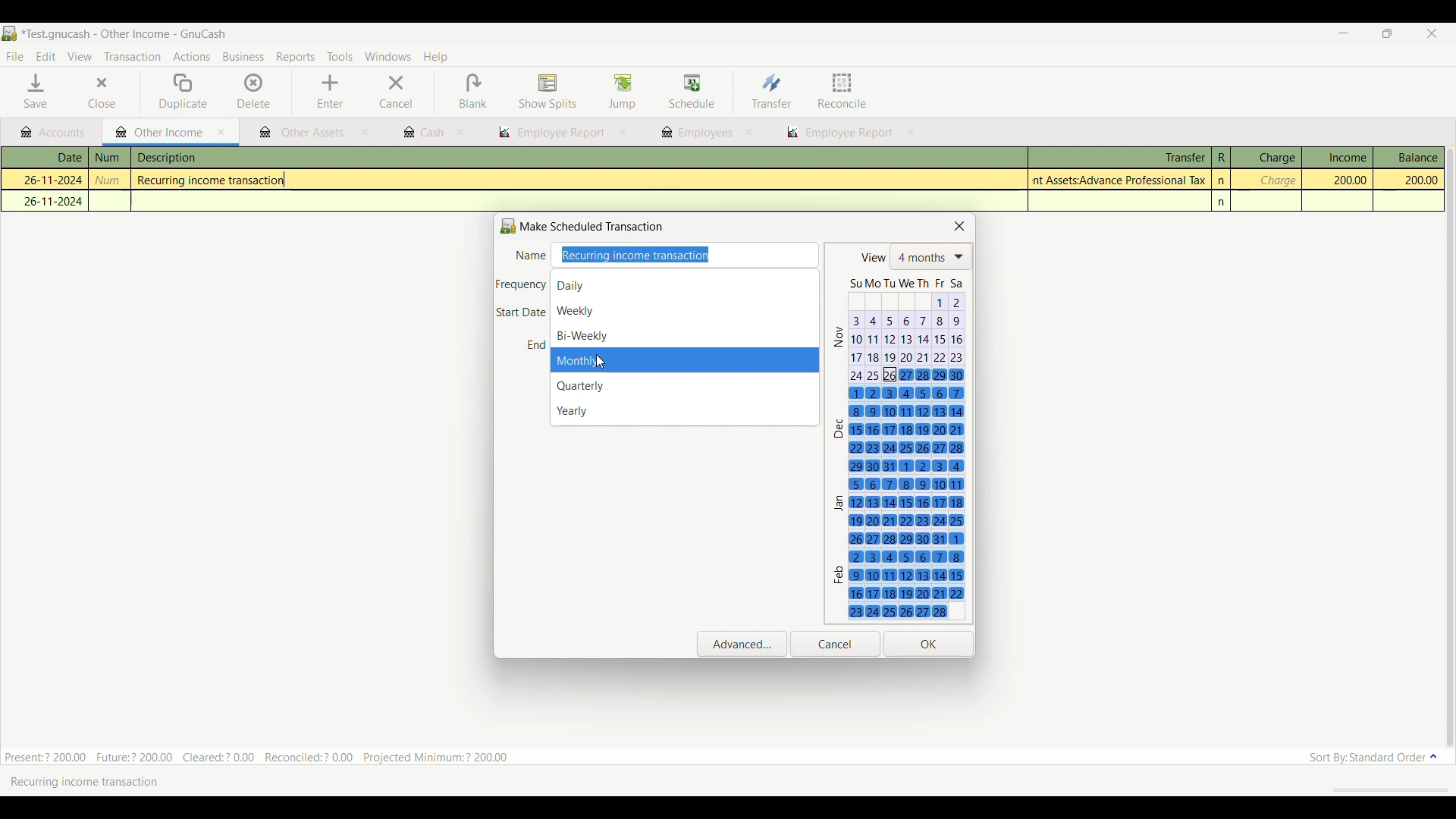 The image size is (1456, 819). What do you see at coordinates (191, 58) in the screenshot?
I see `Actions menu` at bounding box center [191, 58].